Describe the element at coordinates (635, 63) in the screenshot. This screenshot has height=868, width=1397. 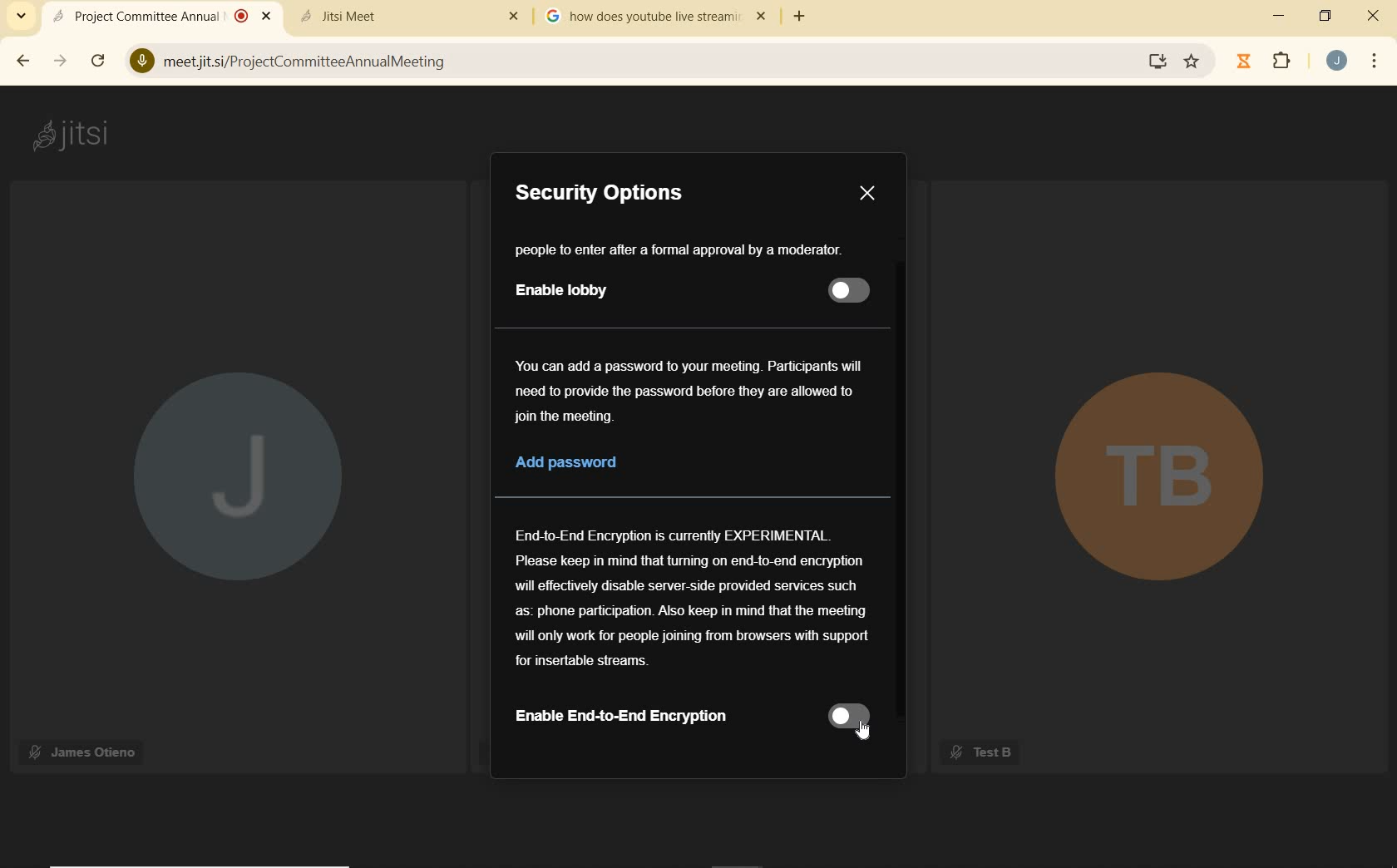
I see `meetjitsi/ProjectCommitteeAnnualMeeting` at that location.